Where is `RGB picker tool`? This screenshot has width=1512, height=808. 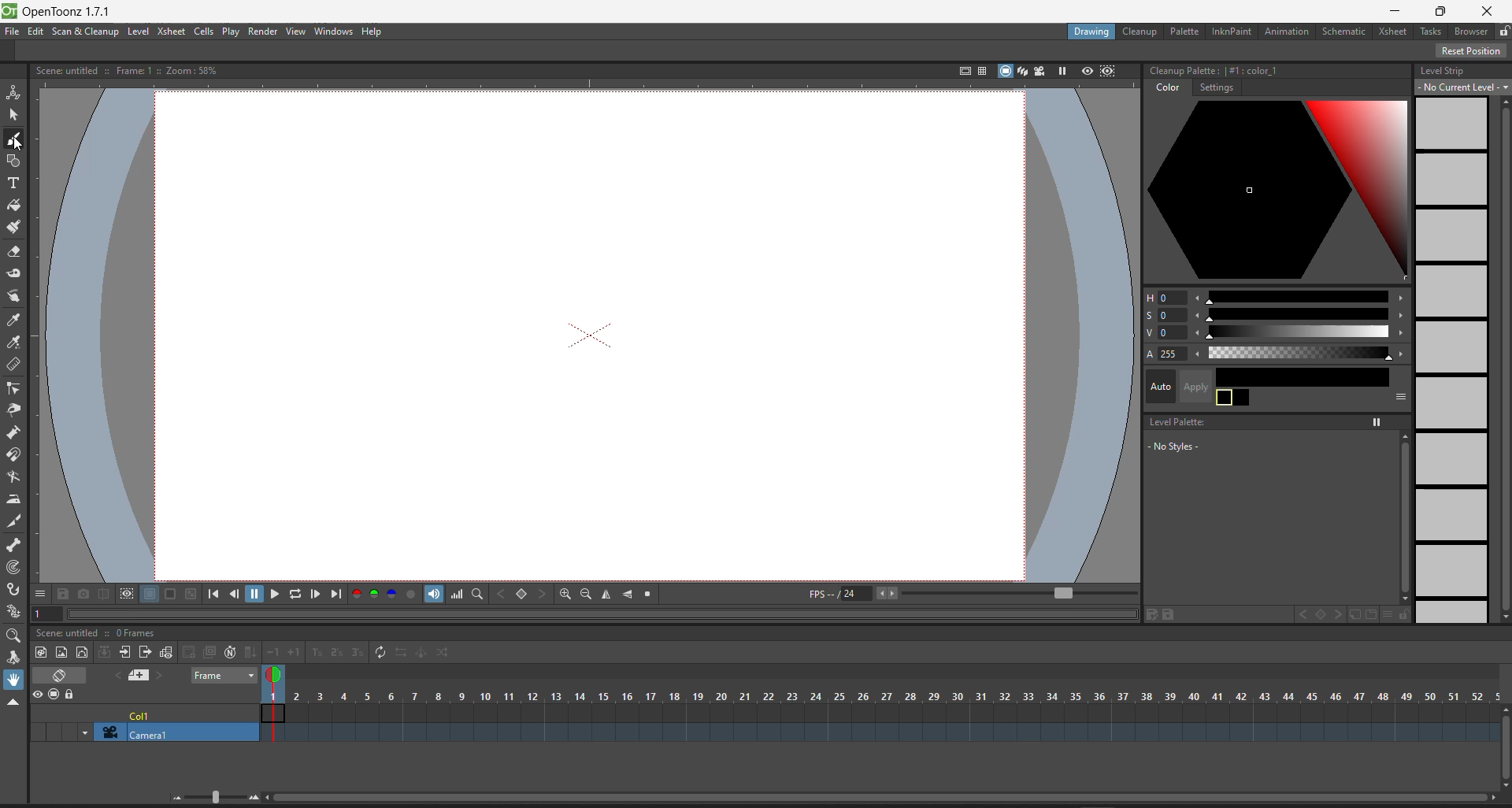
RGB picker tool is located at coordinates (17, 343).